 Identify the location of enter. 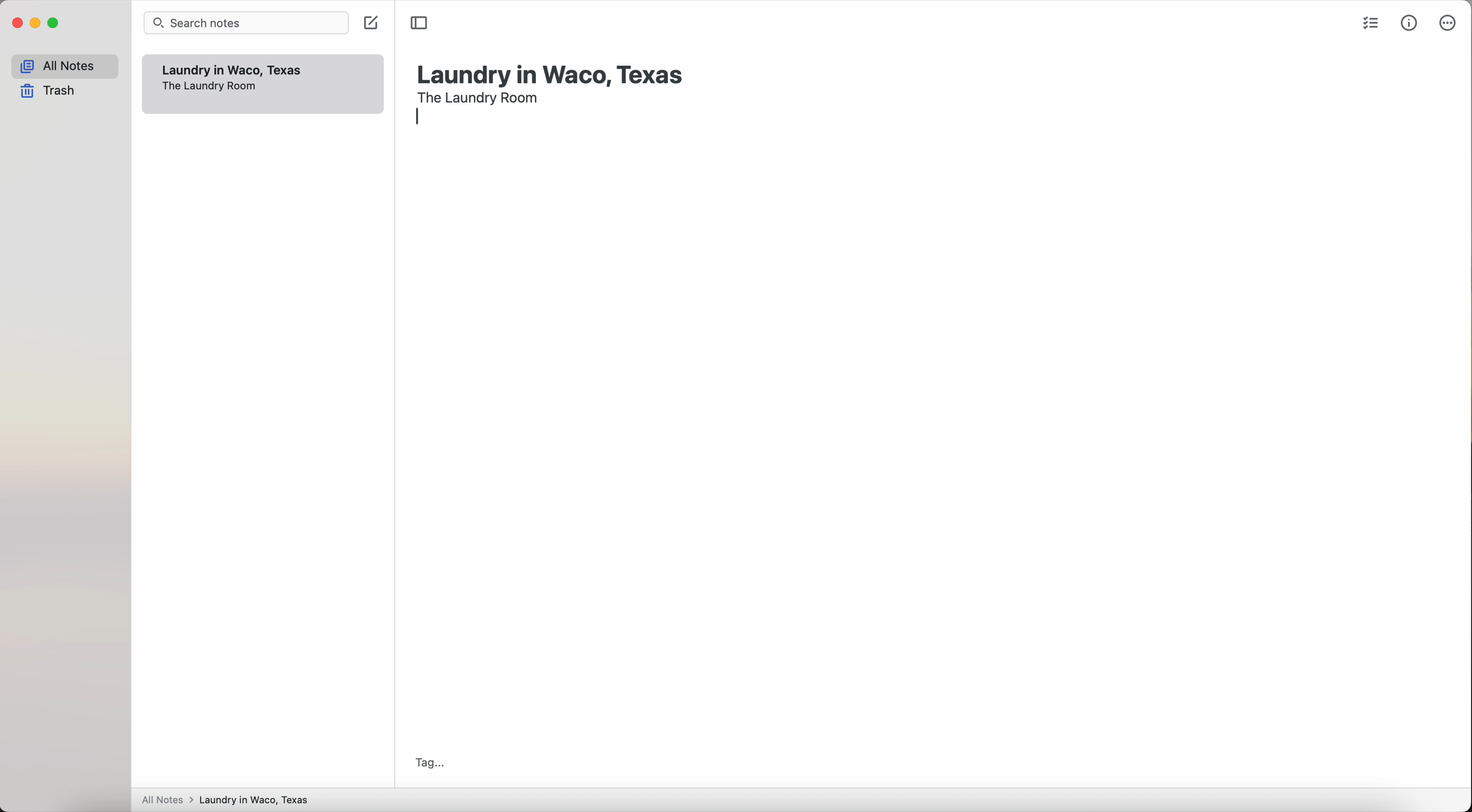
(422, 119).